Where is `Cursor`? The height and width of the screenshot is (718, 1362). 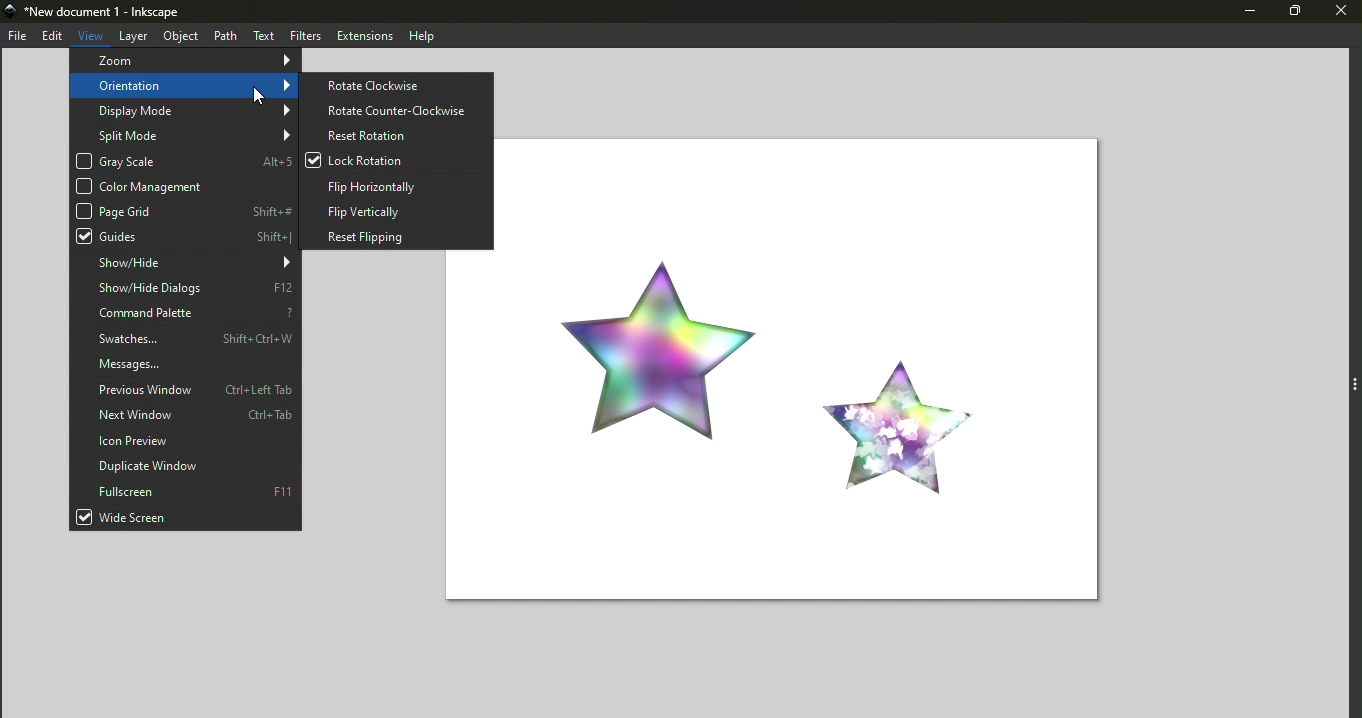 Cursor is located at coordinates (259, 94).